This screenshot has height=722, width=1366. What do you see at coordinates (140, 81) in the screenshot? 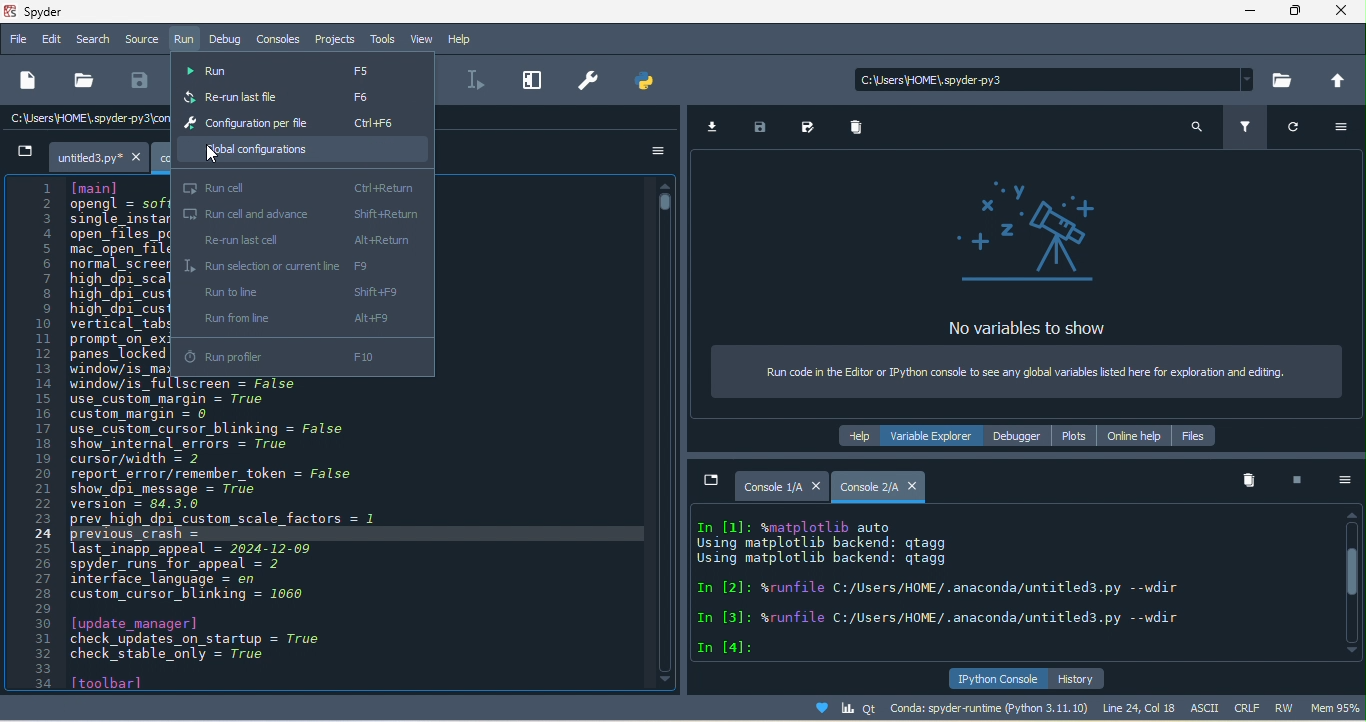
I see `save` at bounding box center [140, 81].